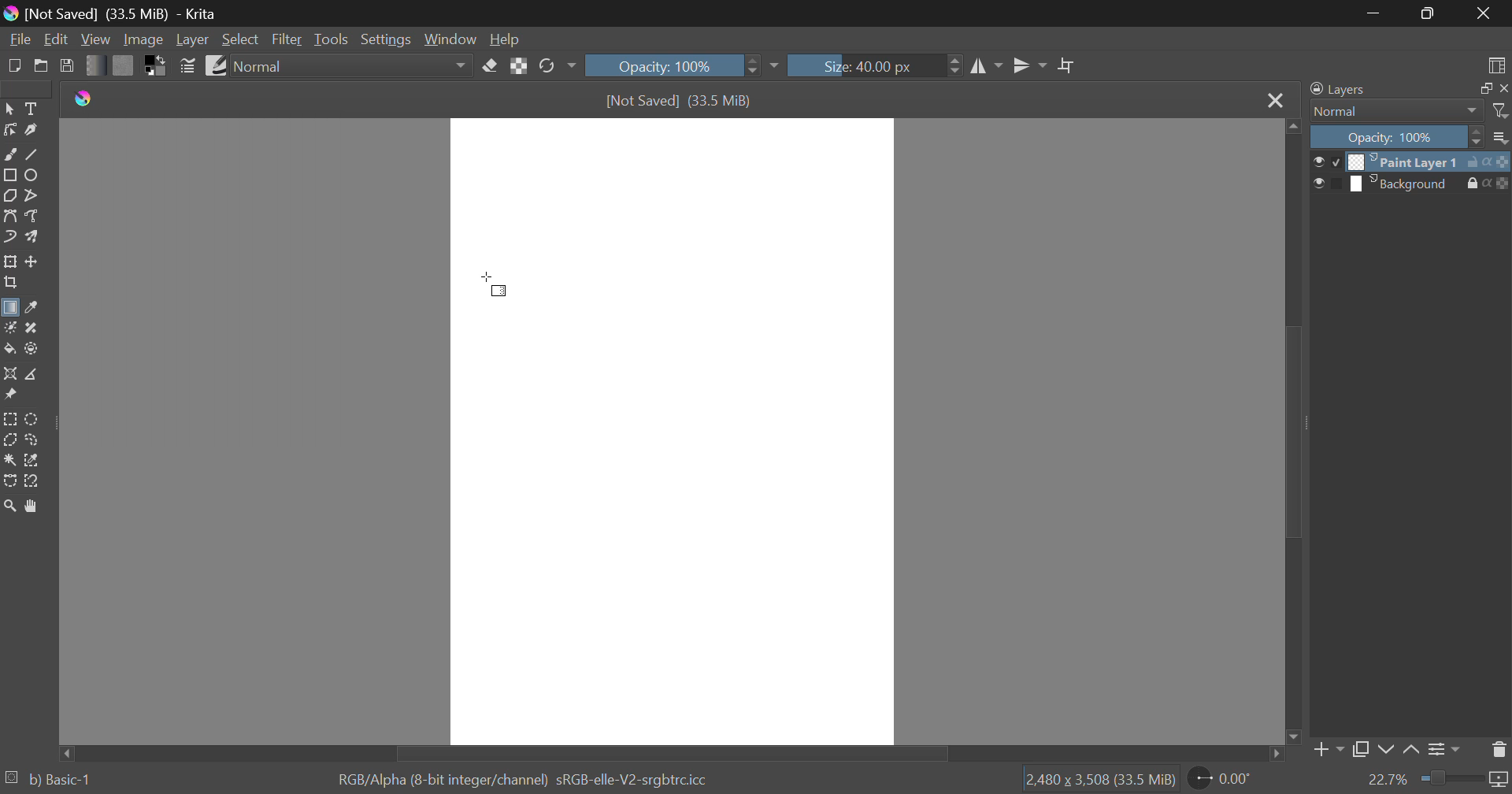 The height and width of the screenshot is (794, 1512). What do you see at coordinates (1502, 111) in the screenshot?
I see `filter` at bounding box center [1502, 111].